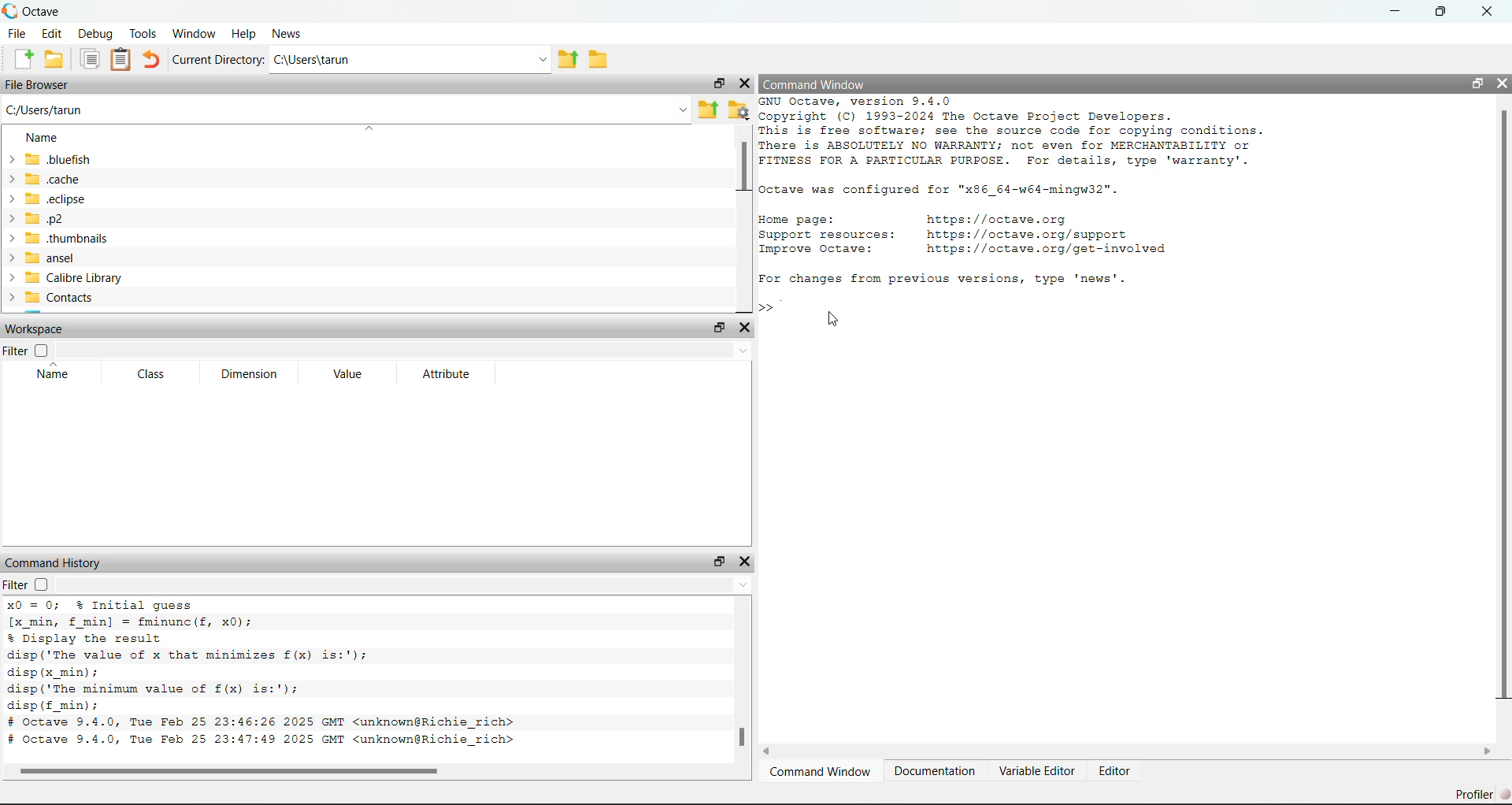  I want to click on Dropdown, so click(680, 108).